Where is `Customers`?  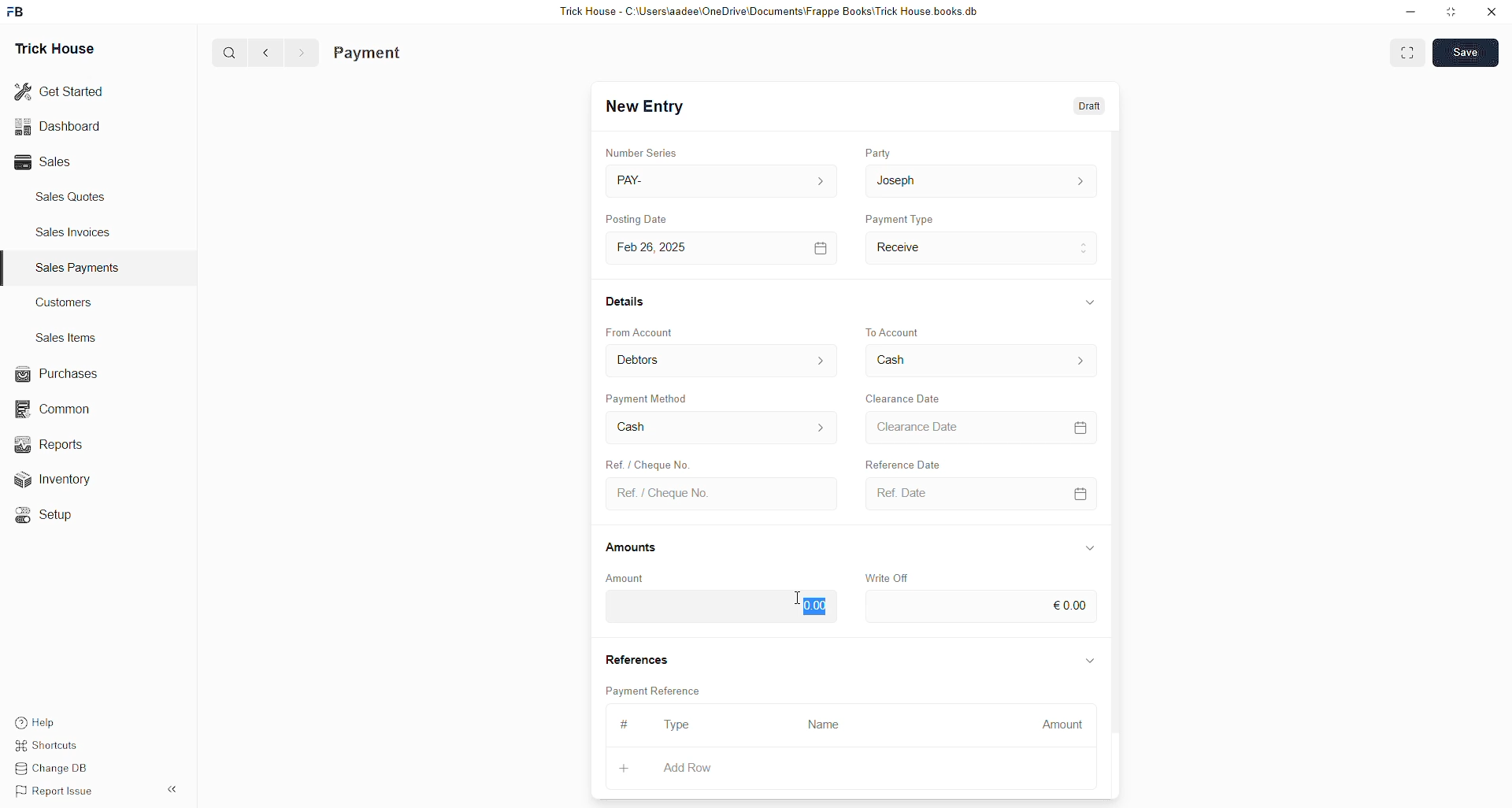 Customers is located at coordinates (69, 302).